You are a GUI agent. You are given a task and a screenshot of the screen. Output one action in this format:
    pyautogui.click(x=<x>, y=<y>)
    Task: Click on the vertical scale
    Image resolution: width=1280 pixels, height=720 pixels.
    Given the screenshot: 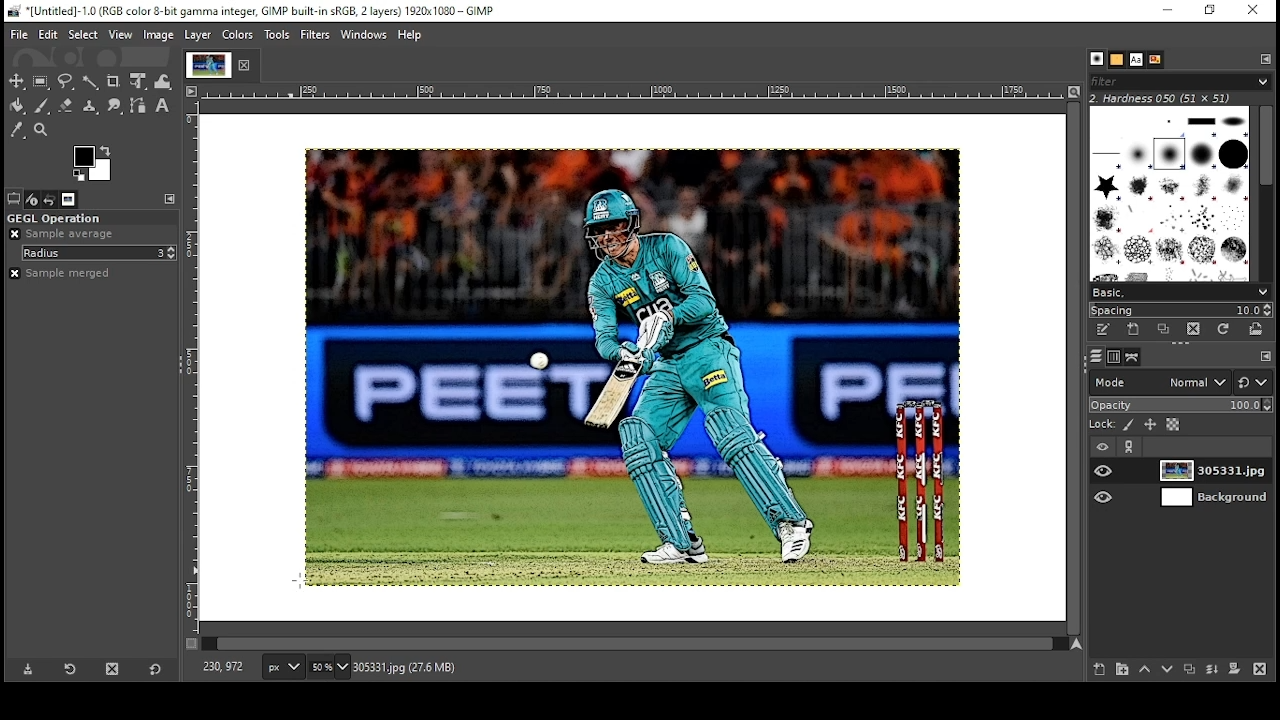 What is the action you would take?
    pyautogui.click(x=192, y=377)
    